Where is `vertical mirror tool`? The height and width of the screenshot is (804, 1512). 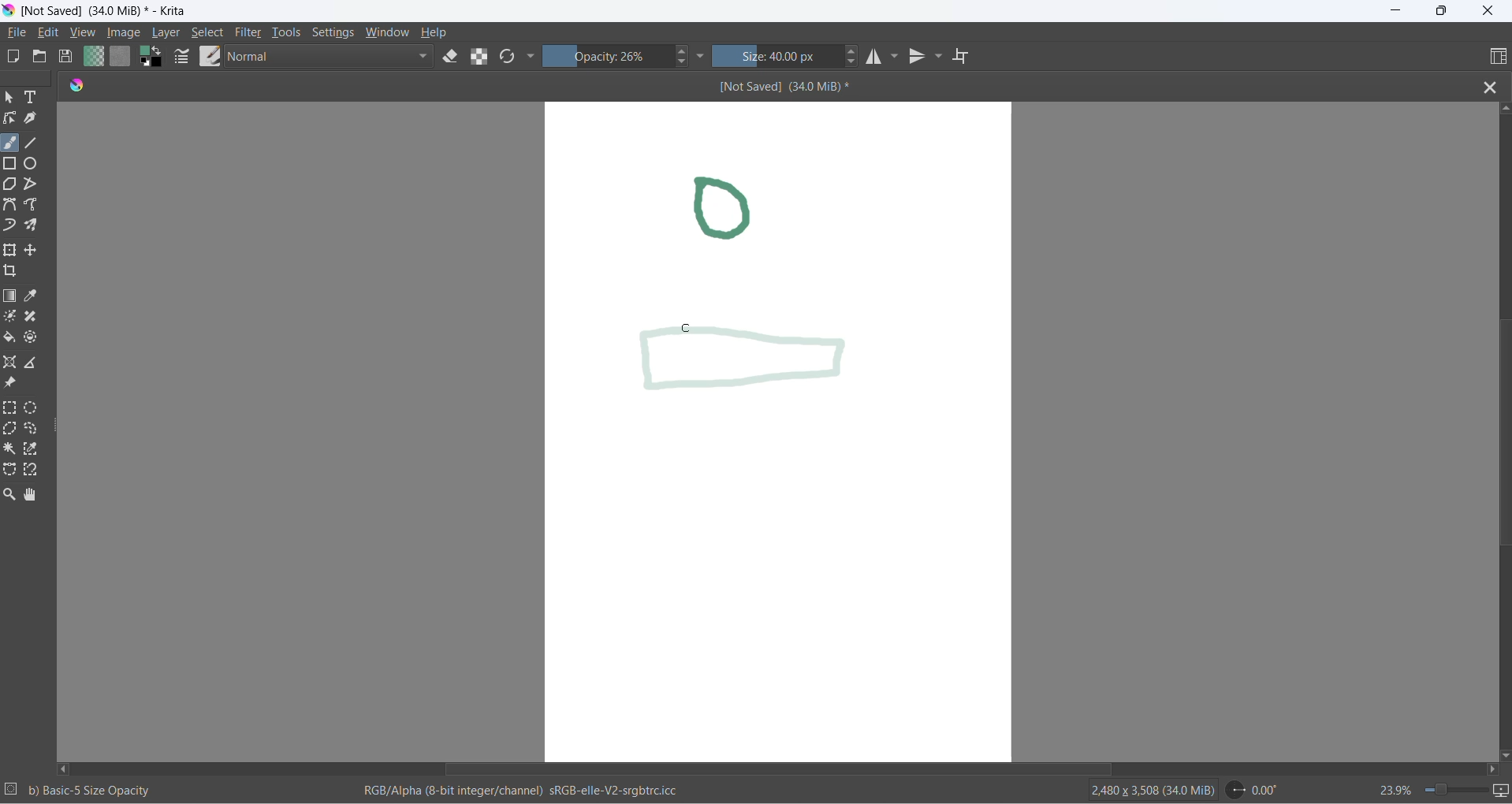 vertical mirror tool is located at coordinates (919, 57).